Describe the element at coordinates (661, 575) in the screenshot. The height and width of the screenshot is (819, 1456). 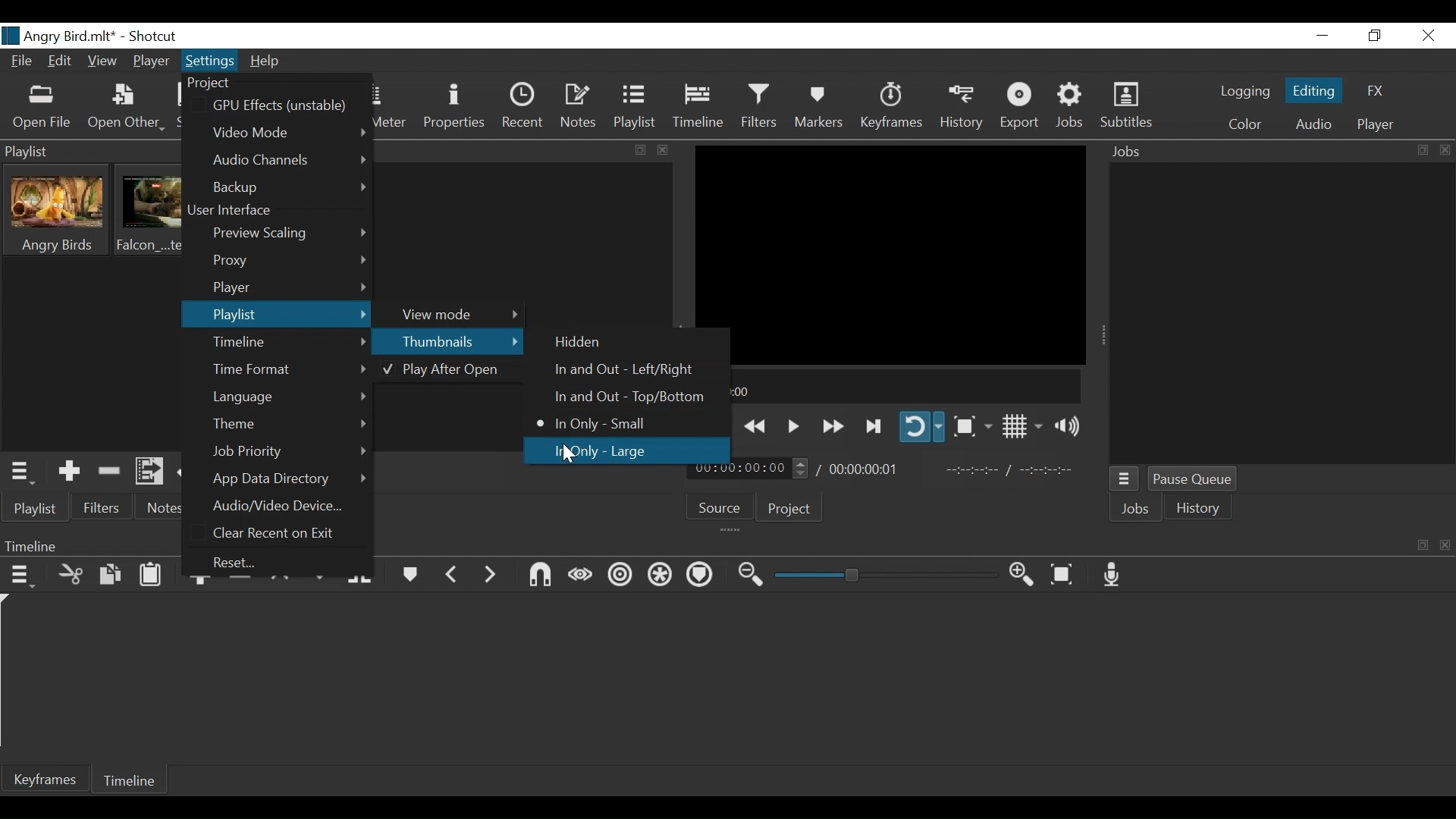
I see `Ripple all tracks` at that location.